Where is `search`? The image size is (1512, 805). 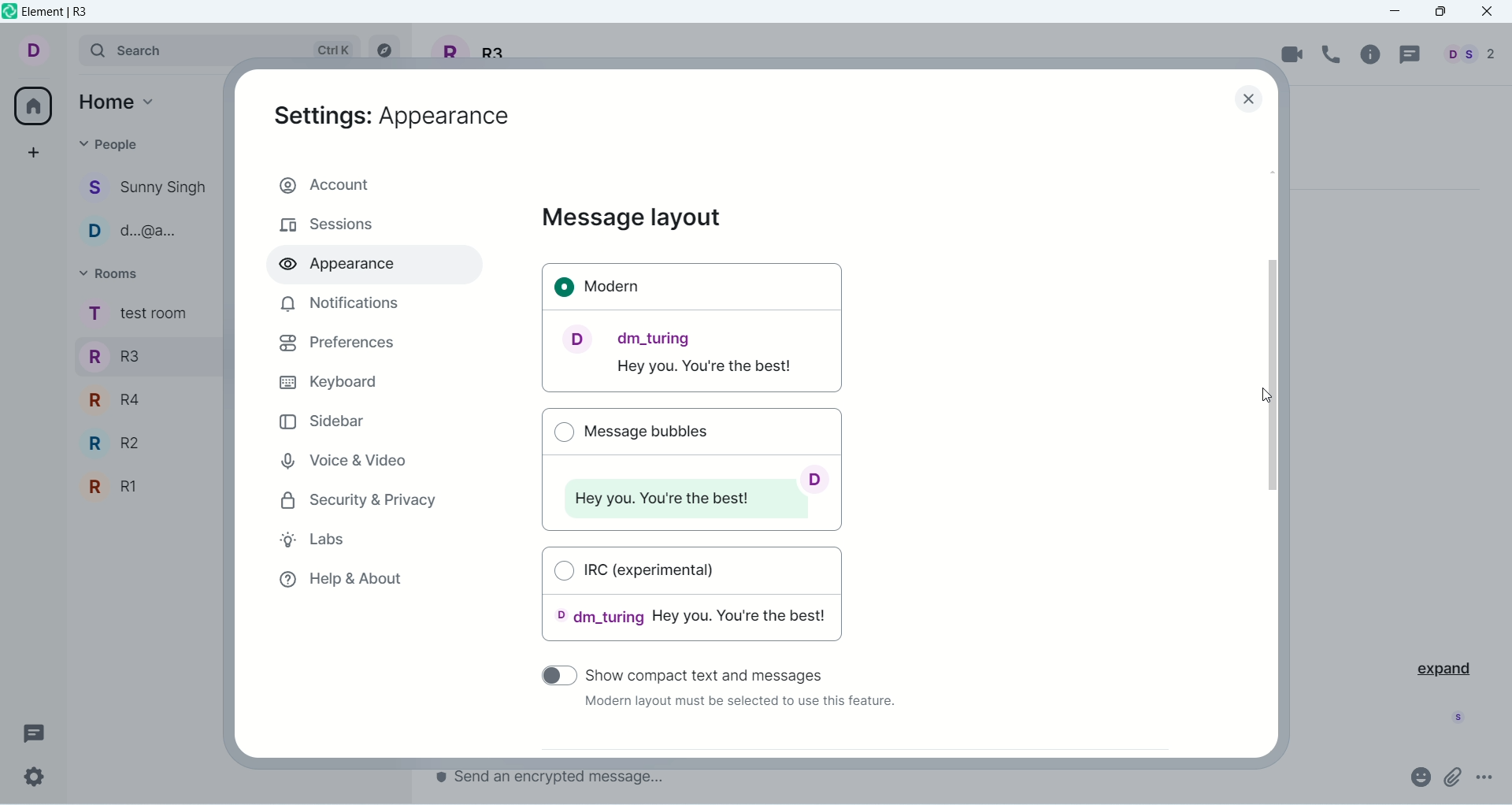 search is located at coordinates (221, 50).